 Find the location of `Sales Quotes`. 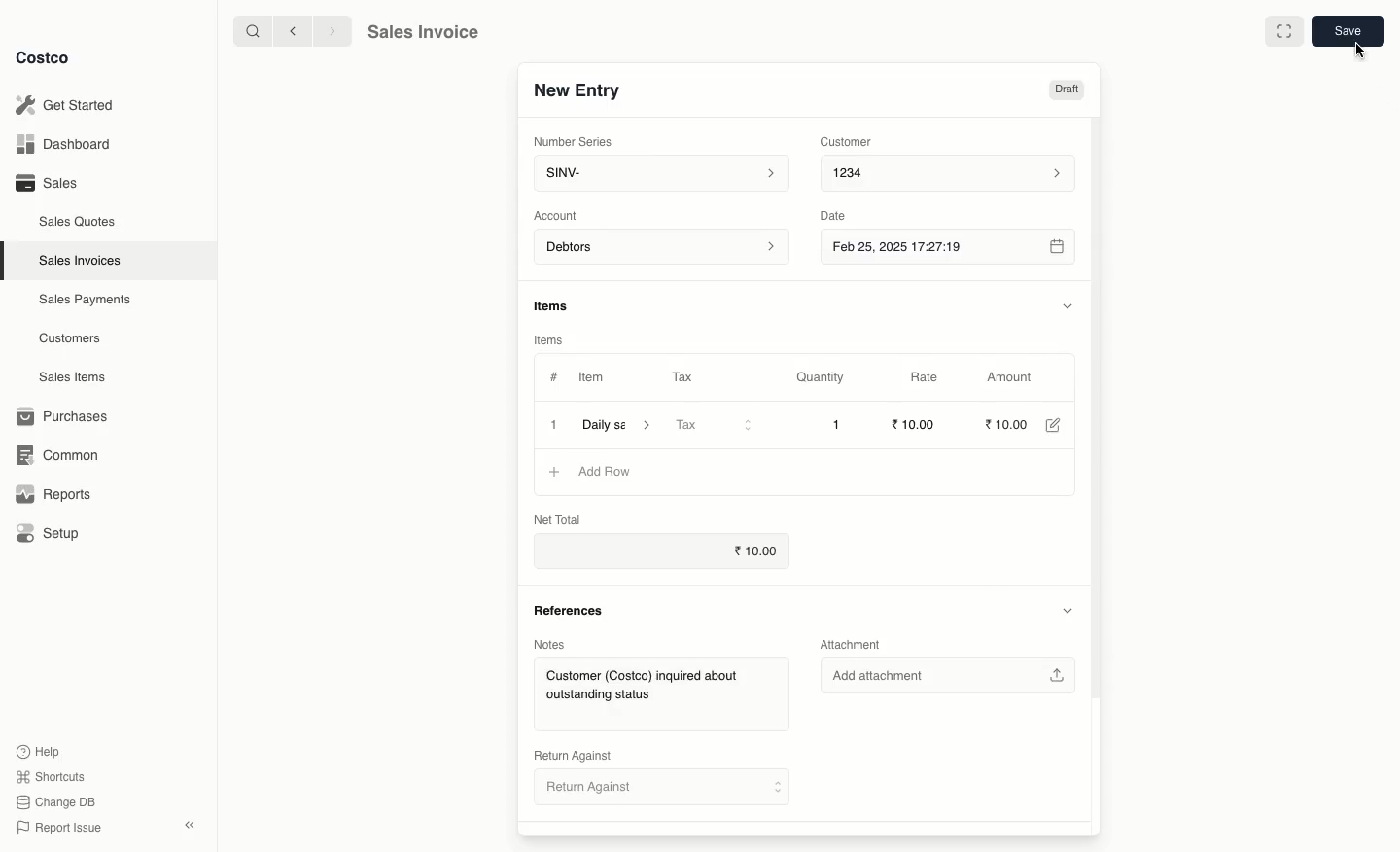

Sales Quotes is located at coordinates (75, 223).